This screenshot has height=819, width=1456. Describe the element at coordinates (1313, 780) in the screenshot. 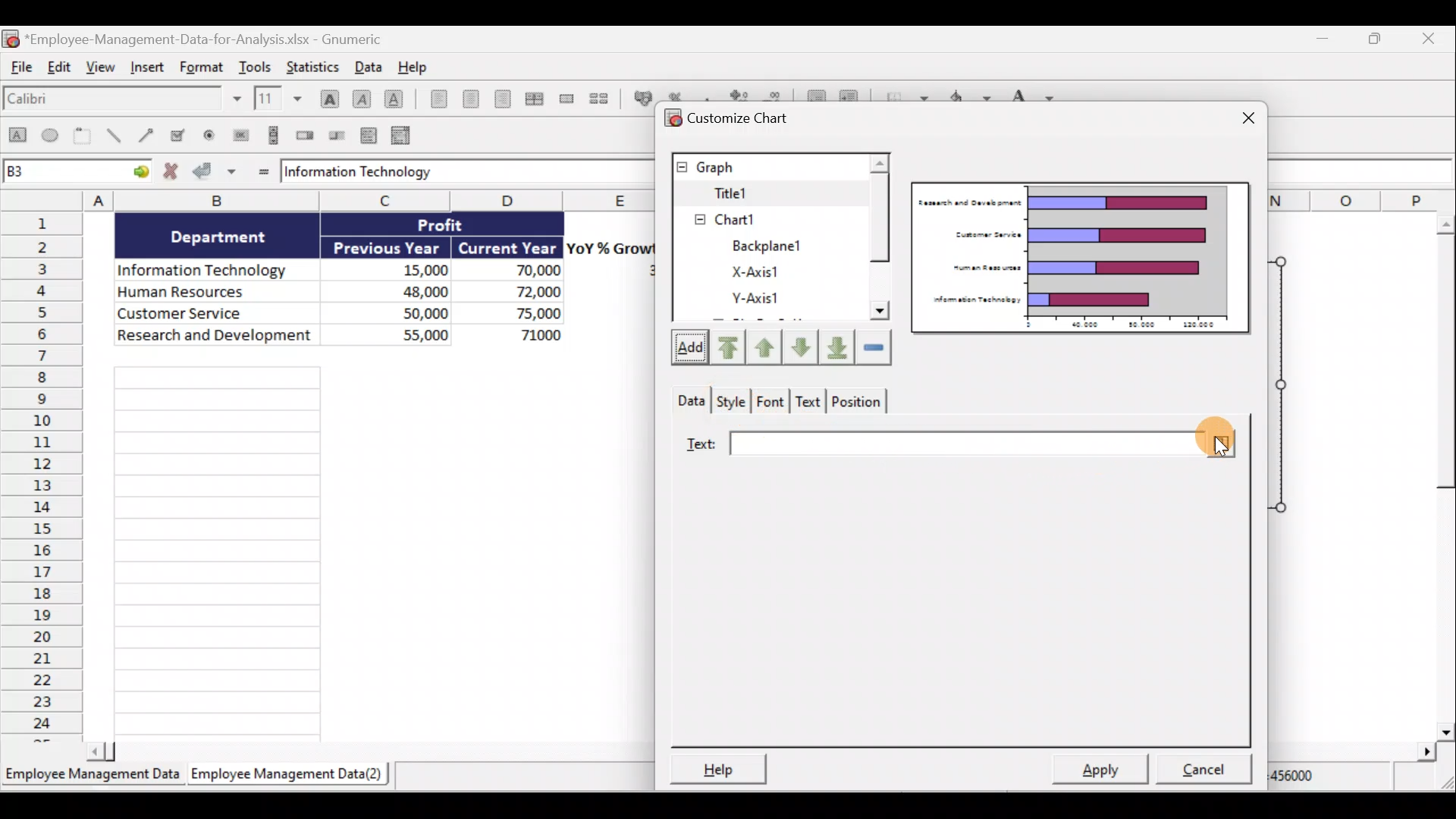

I see `456000` at that location.